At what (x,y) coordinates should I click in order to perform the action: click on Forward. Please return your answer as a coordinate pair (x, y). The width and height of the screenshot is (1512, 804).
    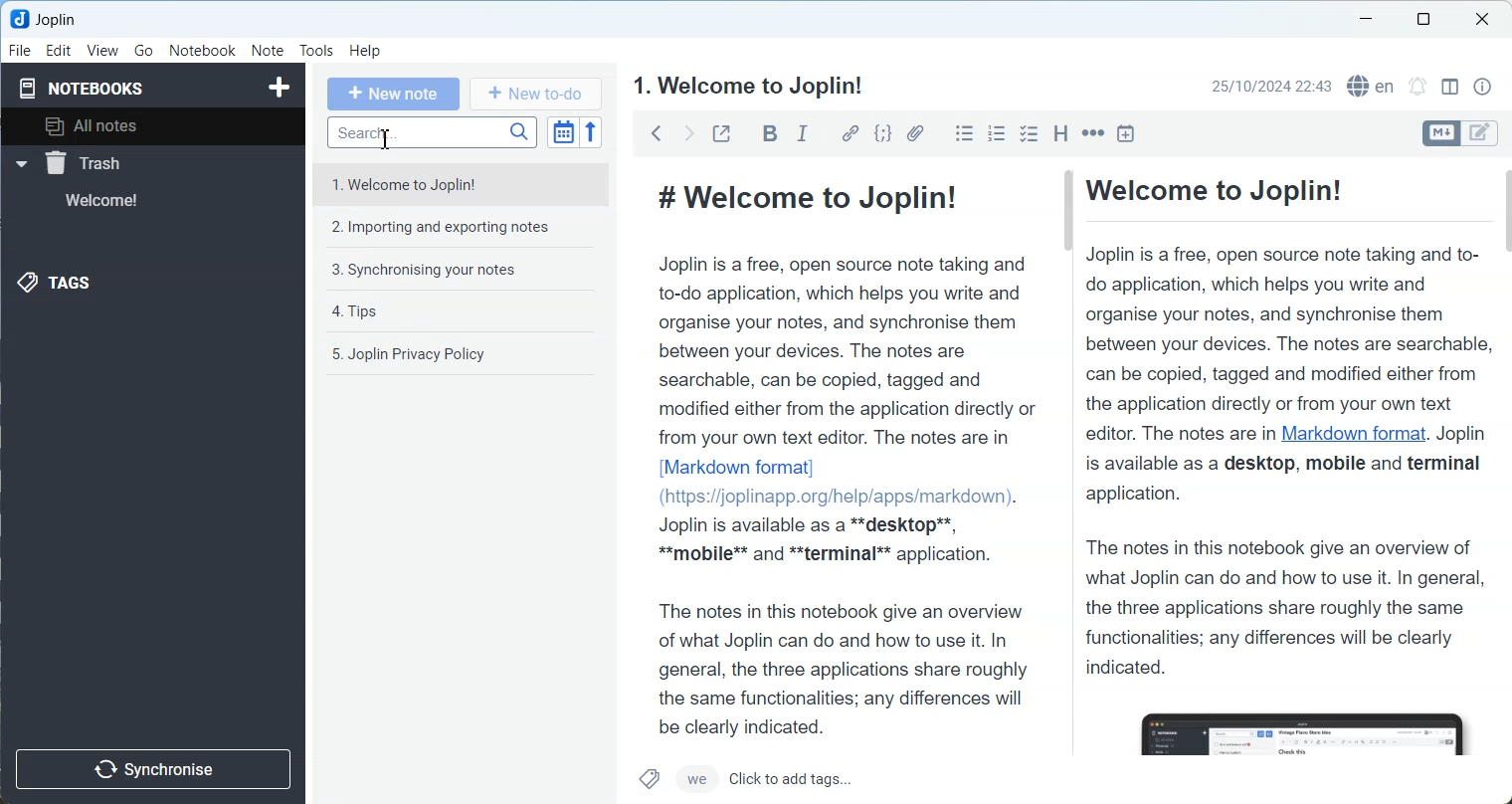
    Looking at the image, I should click on (687, 132).